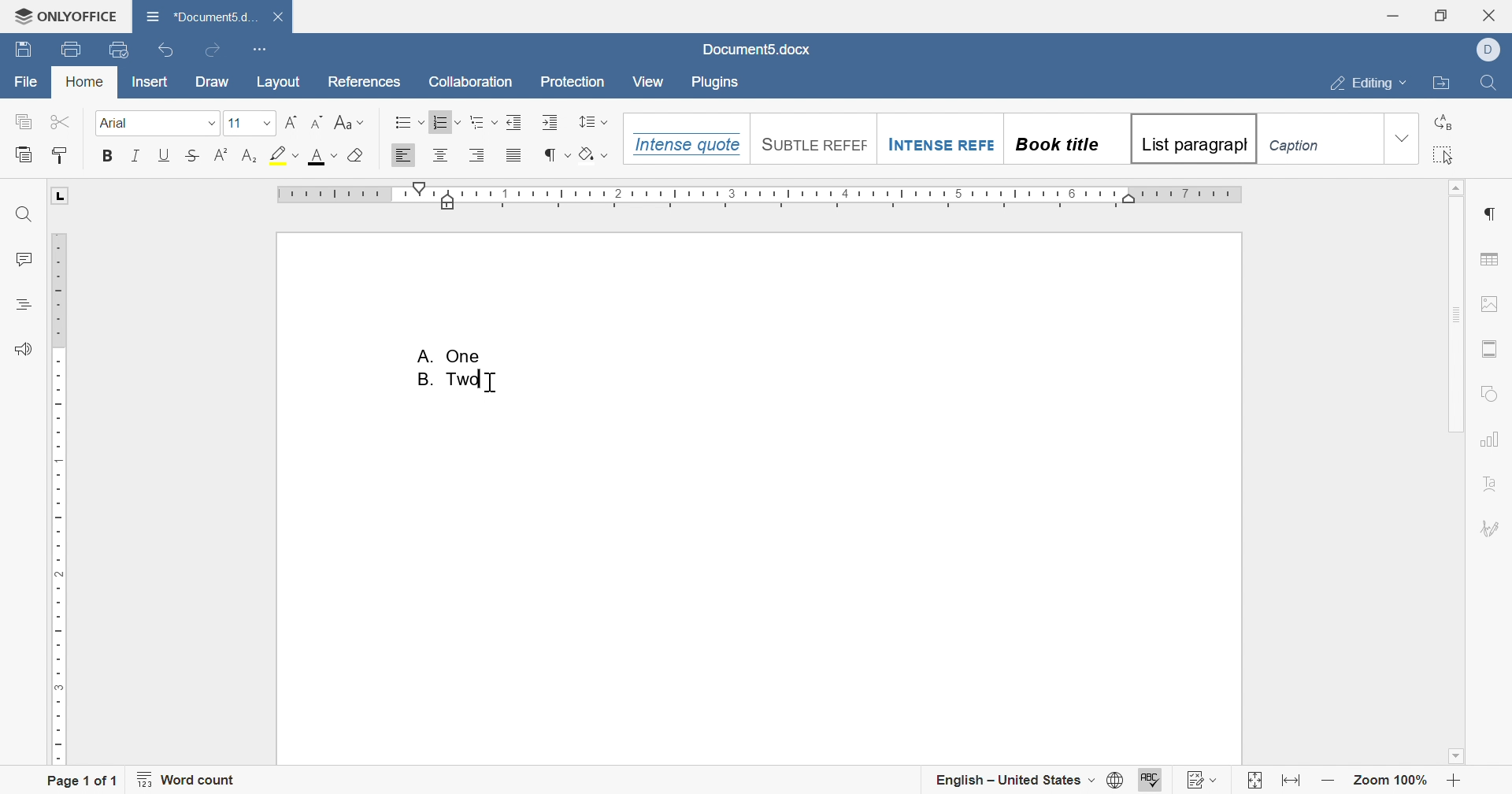 This screenshot has height=794, width=1512. I want to click on Strikethrough, so click(193, 154).